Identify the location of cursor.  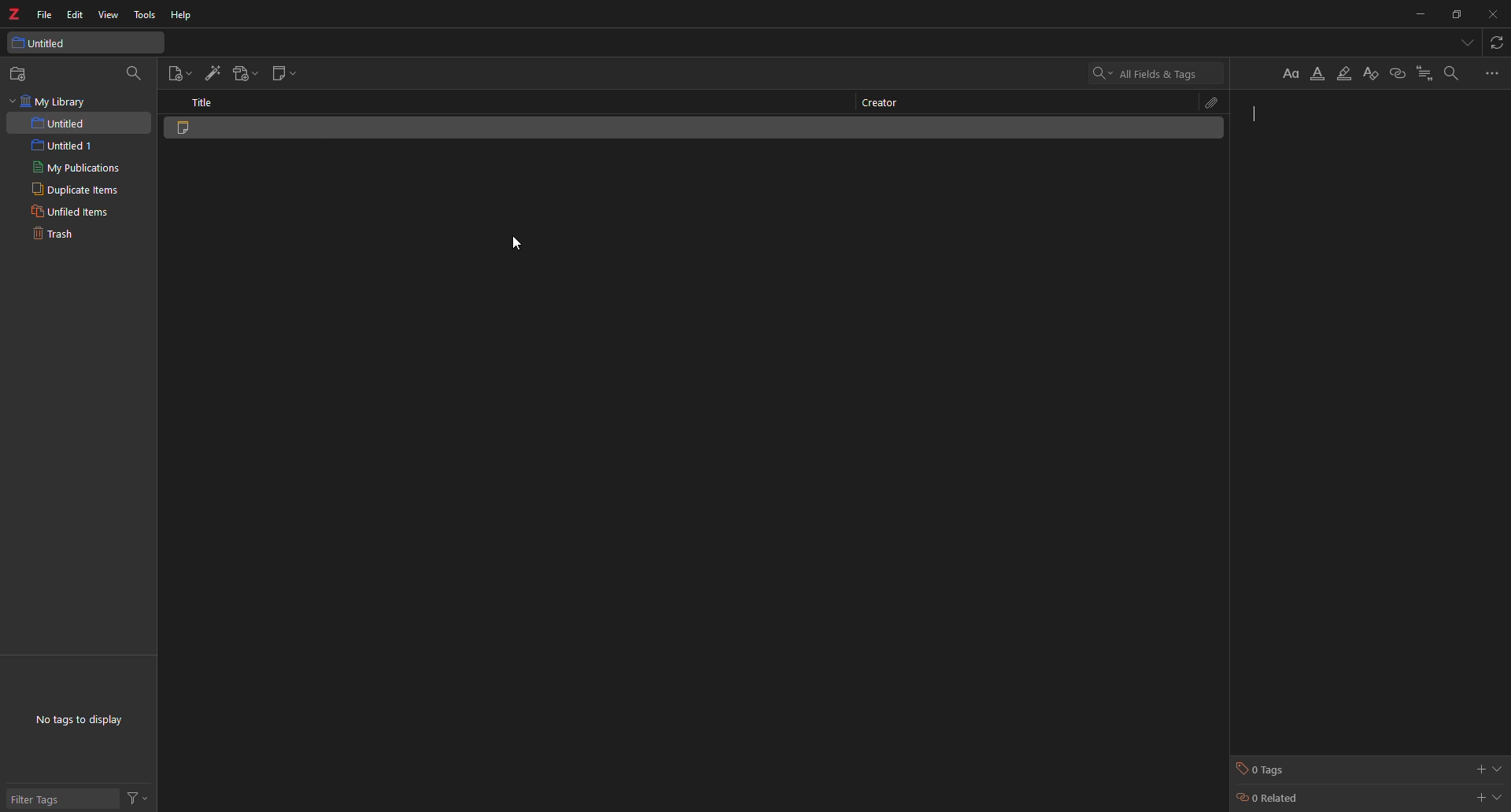
(523, 243).